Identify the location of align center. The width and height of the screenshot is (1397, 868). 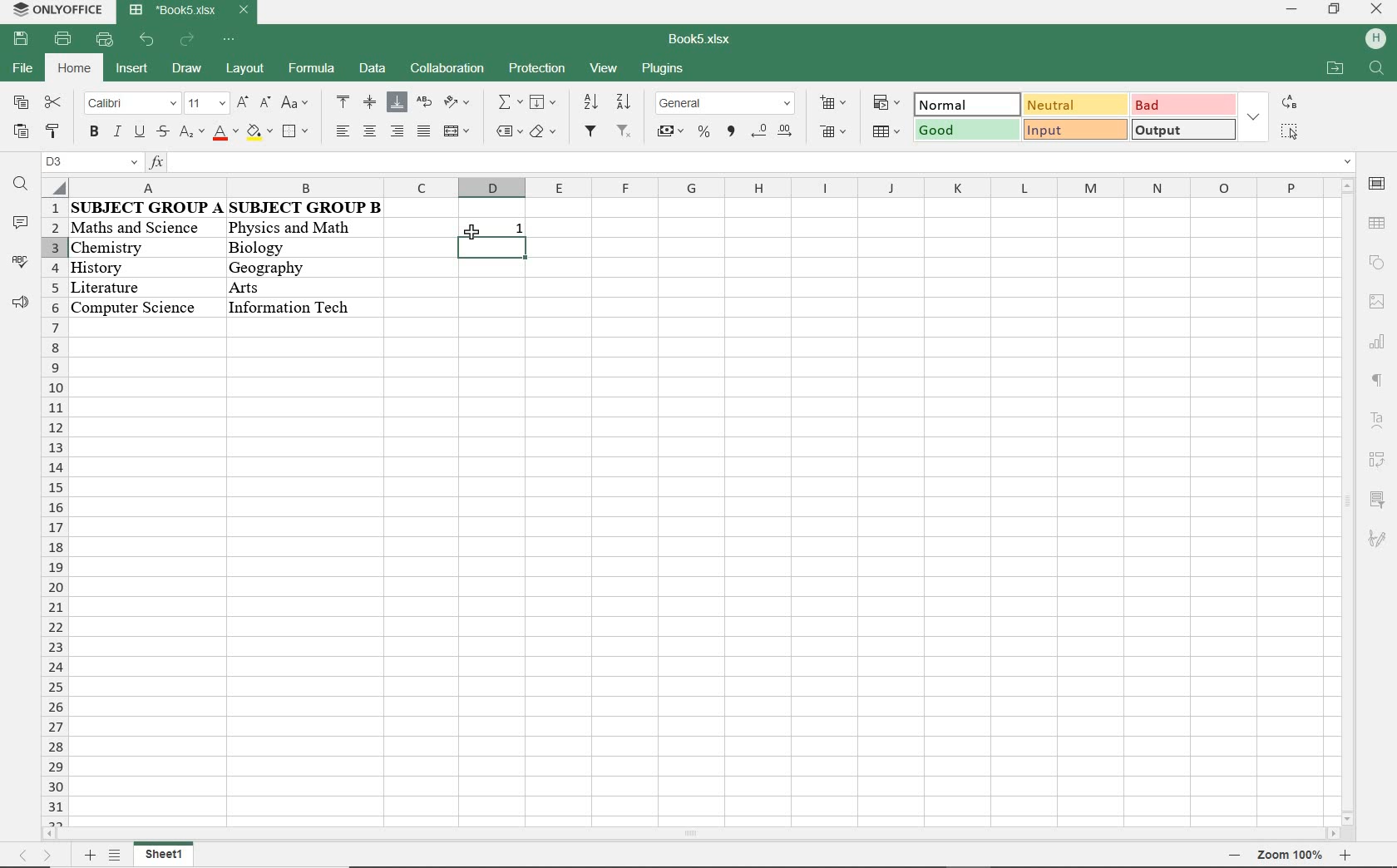
(369, 131).